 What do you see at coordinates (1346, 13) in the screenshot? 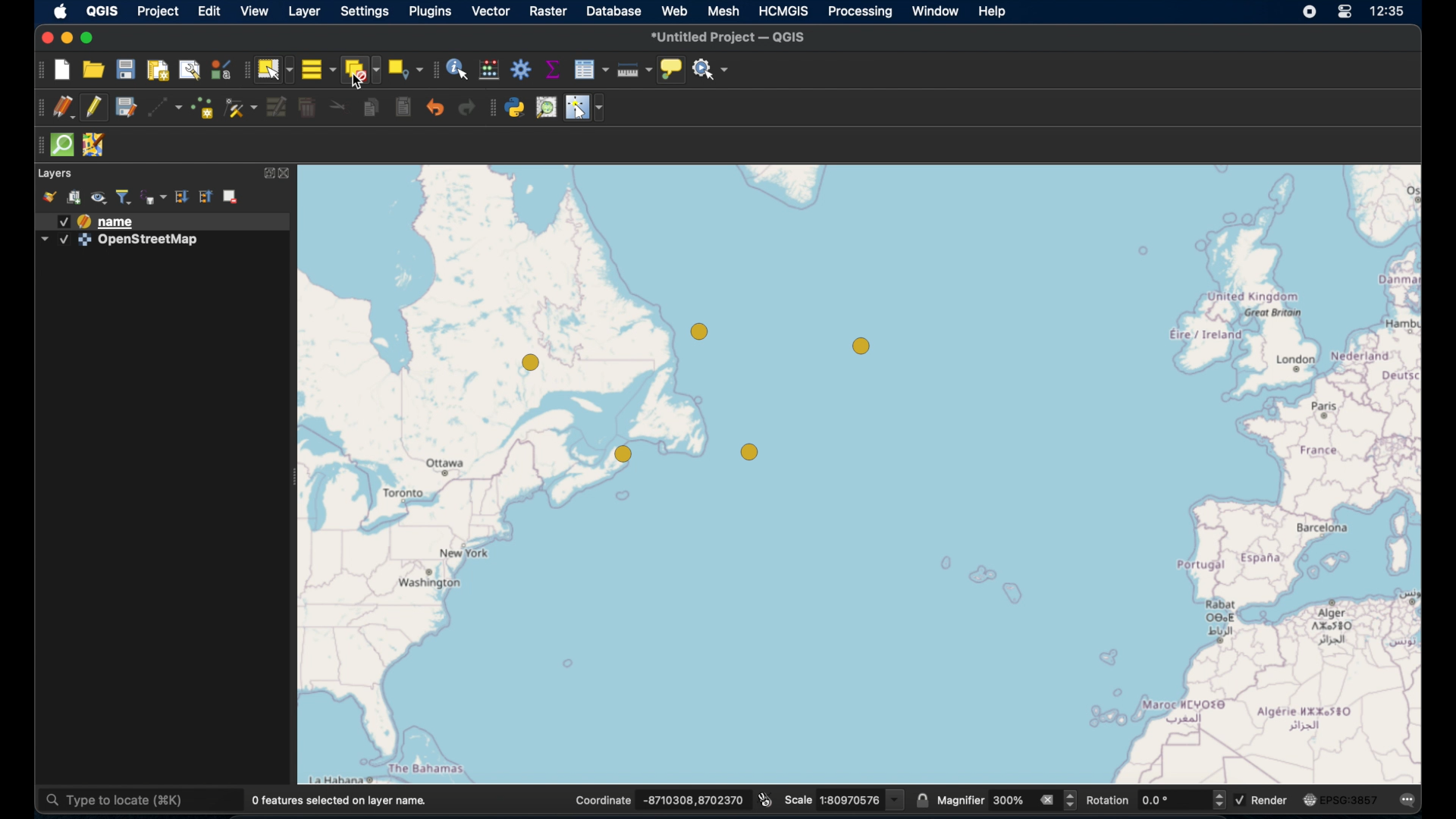
I see `control center` at bounding box center [1346, 13].